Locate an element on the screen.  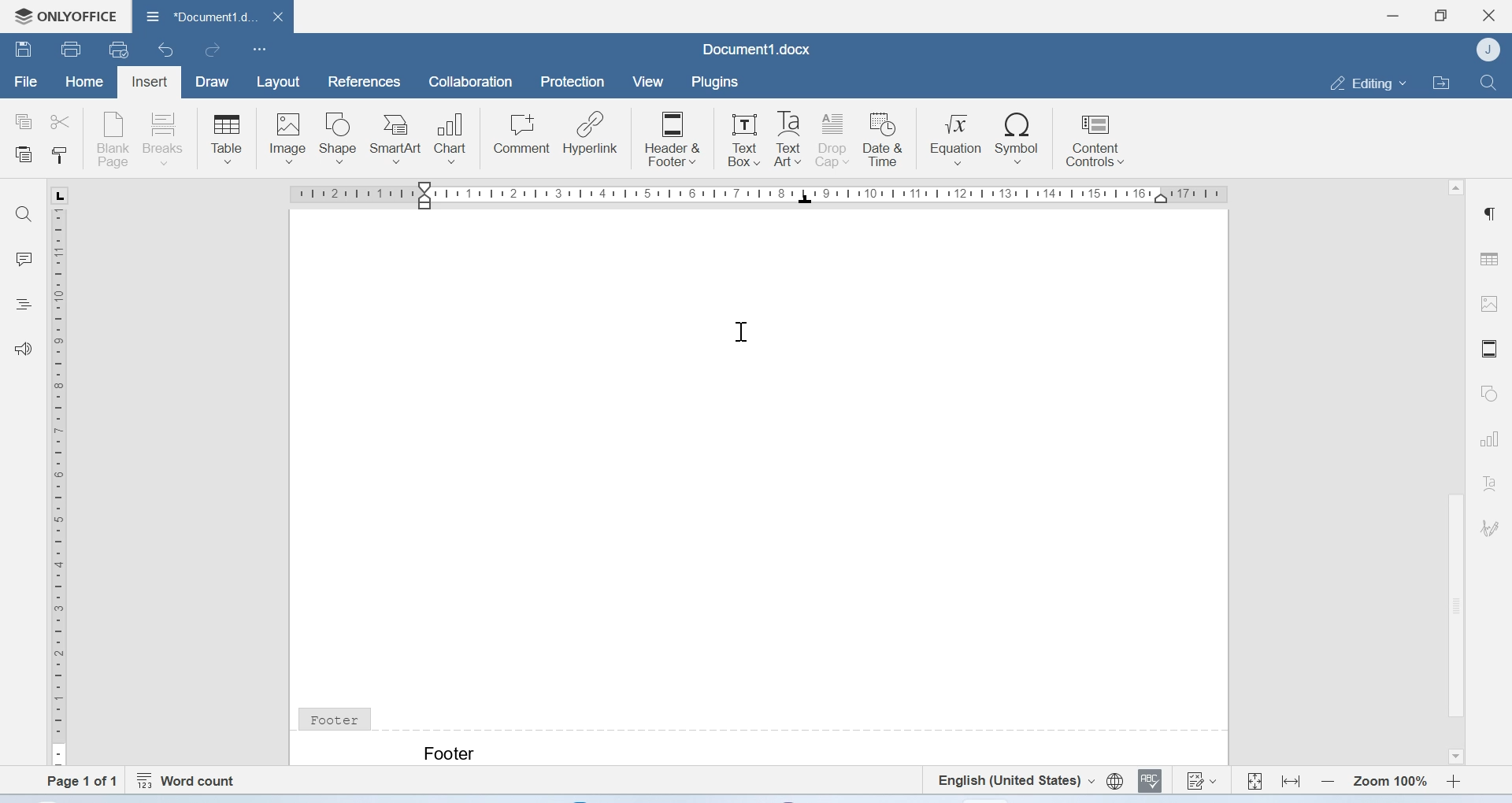
Onlyoffice is located at coordinates (65, 14).